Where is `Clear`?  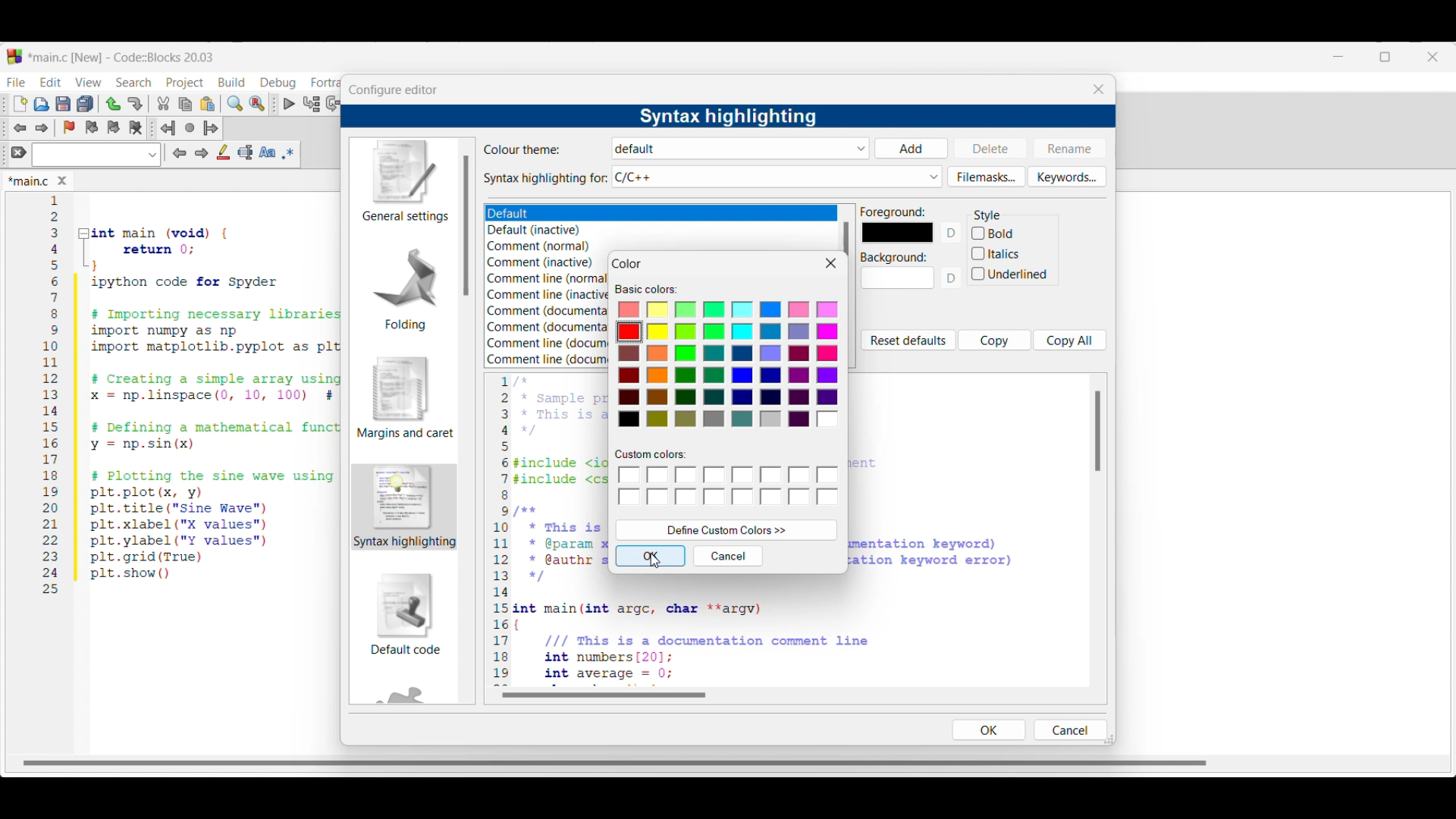 Clear is located at coordinates (19, 152).